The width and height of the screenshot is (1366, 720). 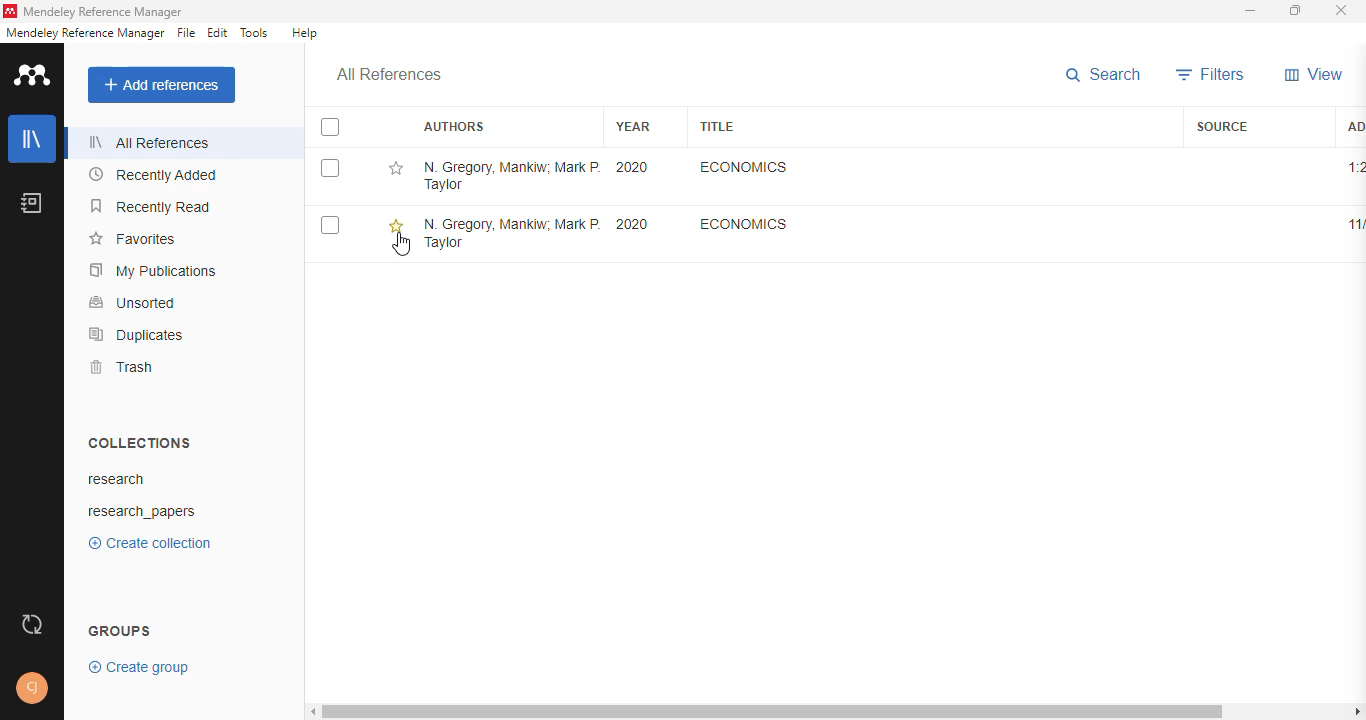 I want to click on unsorted, so click(x=133, y=302).